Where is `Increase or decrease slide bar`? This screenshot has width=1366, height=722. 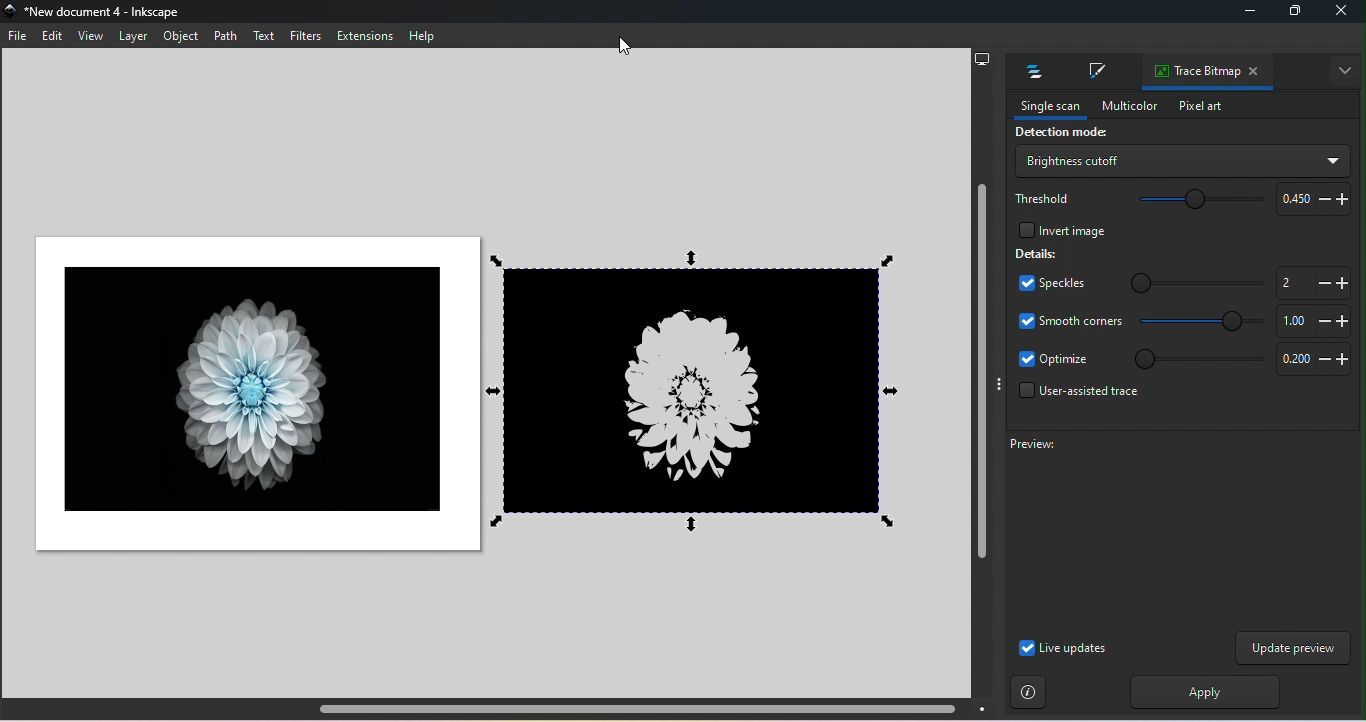 Increase or decrease slide bar is located at coordinates (1309, 282).